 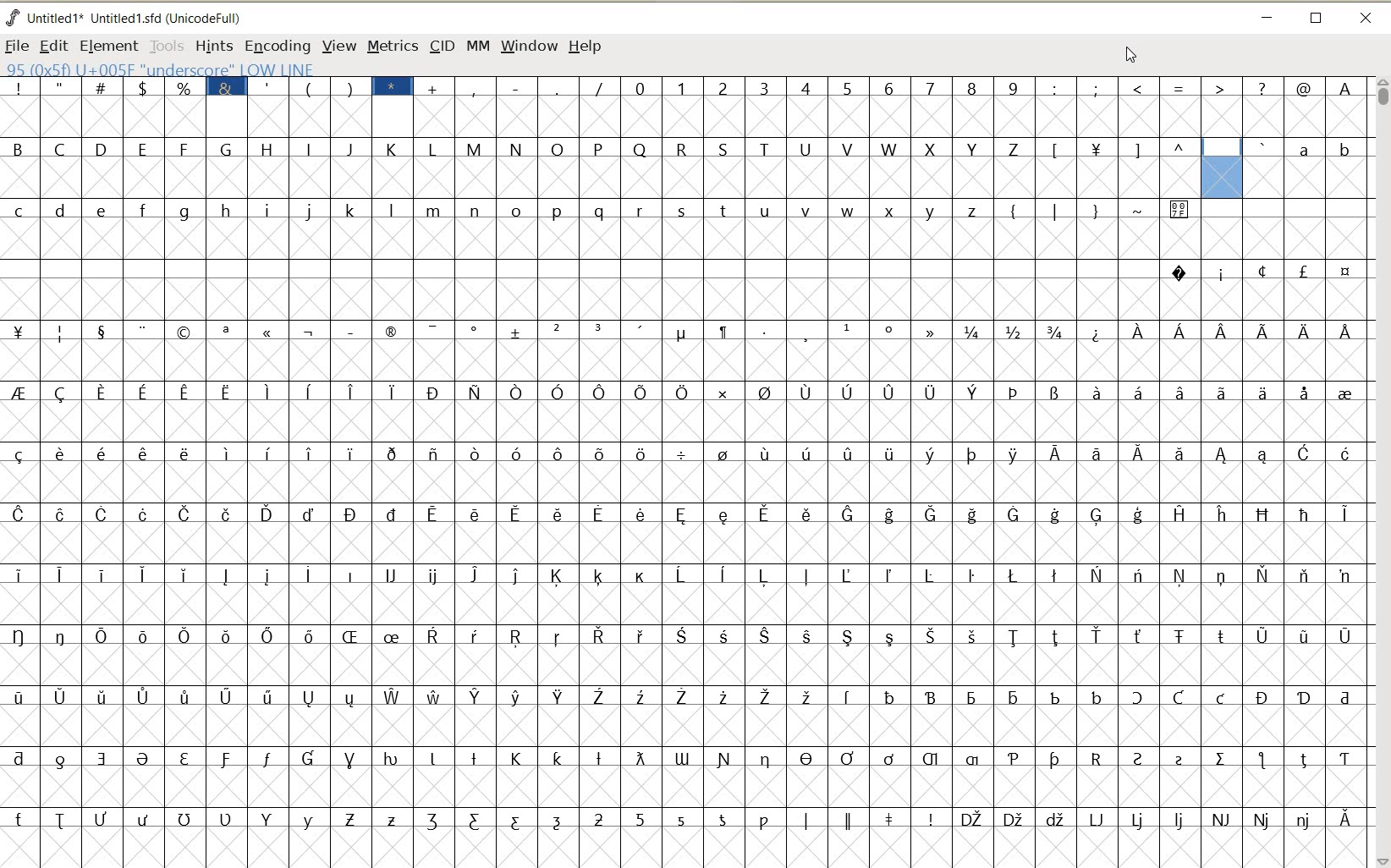 What do you see at coordinates (476, 45) in the screenshot?
I see `MM` at bounding box center [476, 45].